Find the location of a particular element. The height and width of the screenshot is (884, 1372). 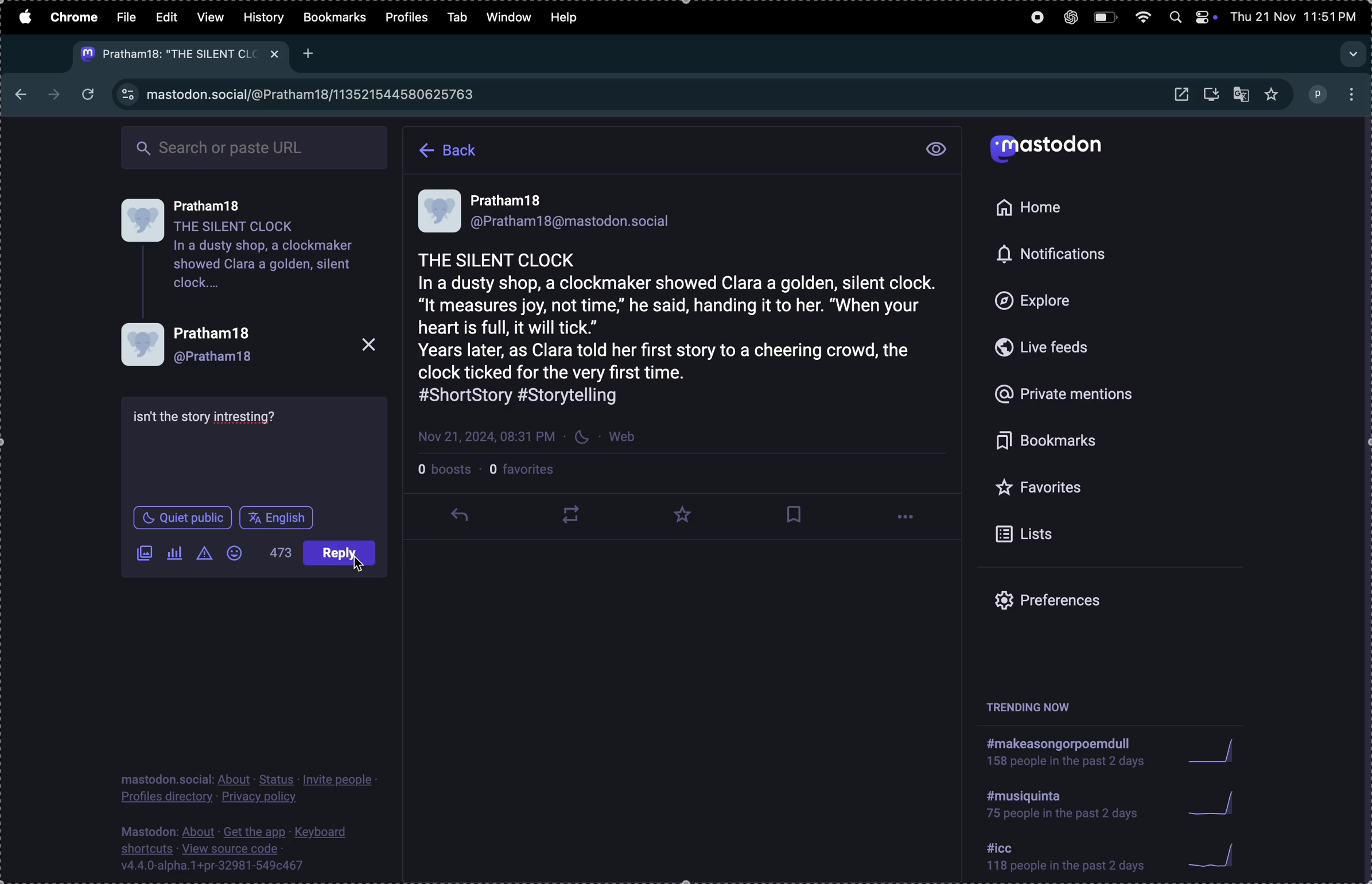

bookmark is located at coordinates (795, 514).